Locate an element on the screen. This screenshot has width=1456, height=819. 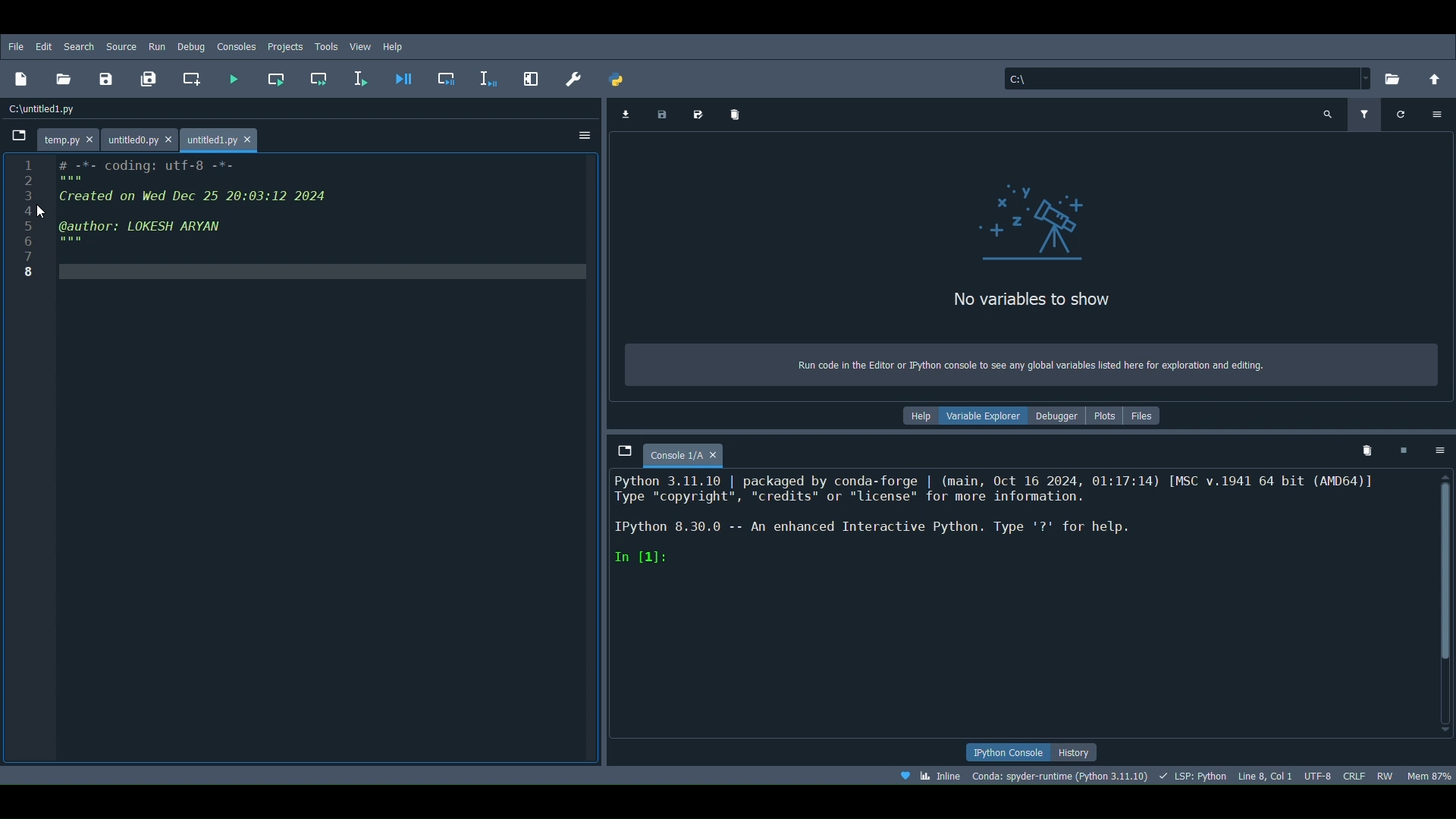
Run current cell (Ctrl + Return) is located at coordinates (279, 74).